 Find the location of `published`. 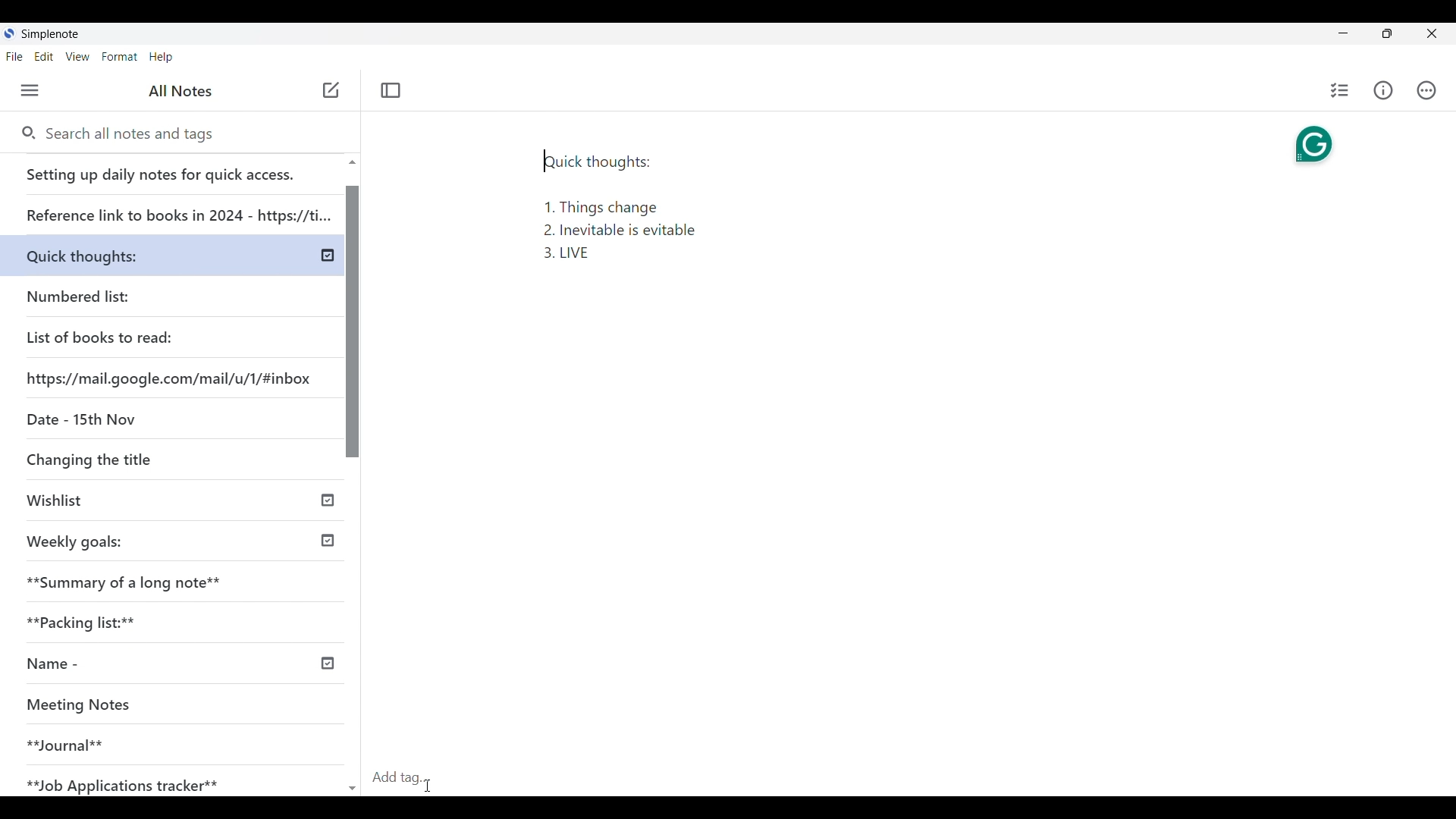

published is located at coordinates (326, 664).